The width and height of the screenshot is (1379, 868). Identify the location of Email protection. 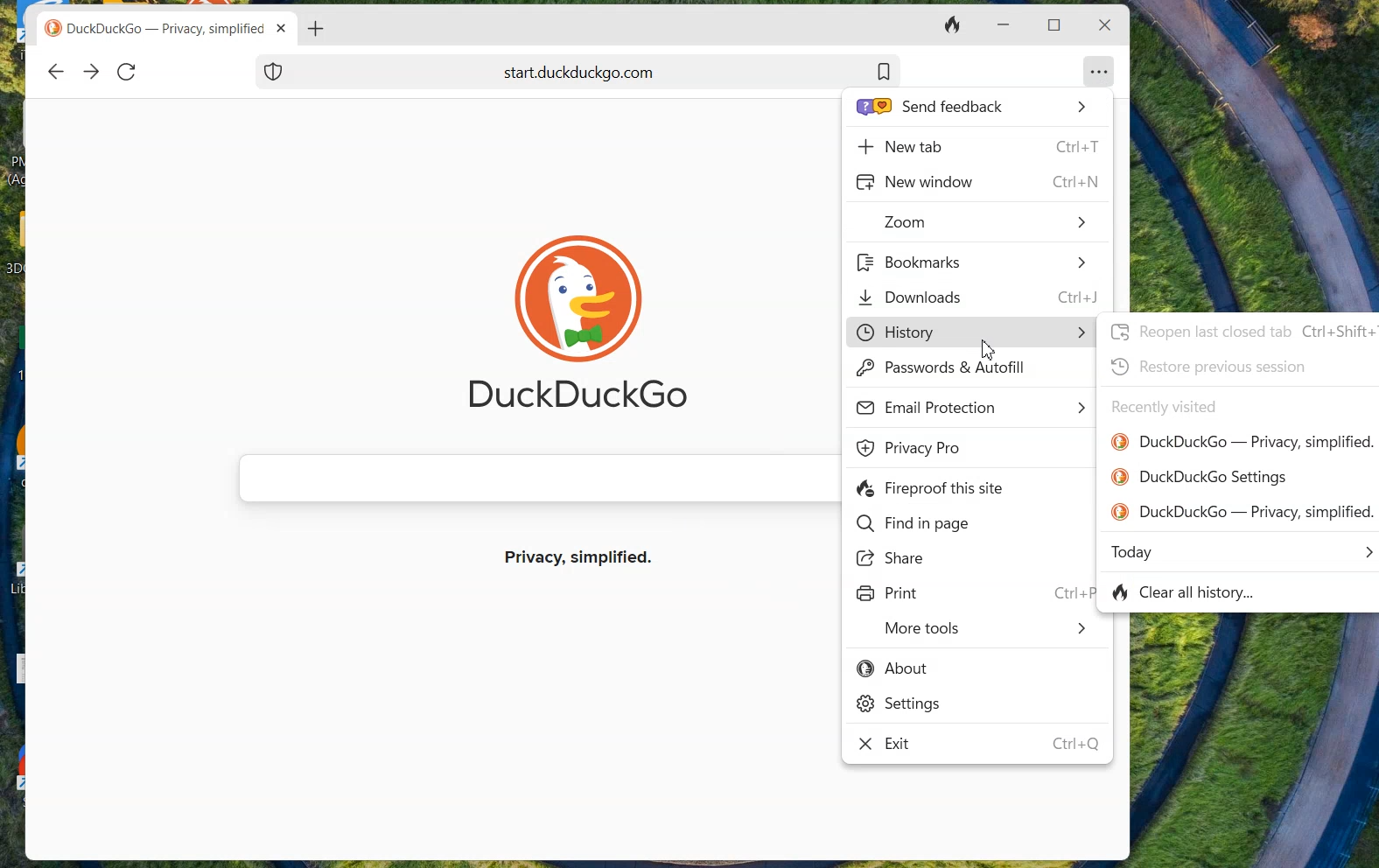
(972, 407).